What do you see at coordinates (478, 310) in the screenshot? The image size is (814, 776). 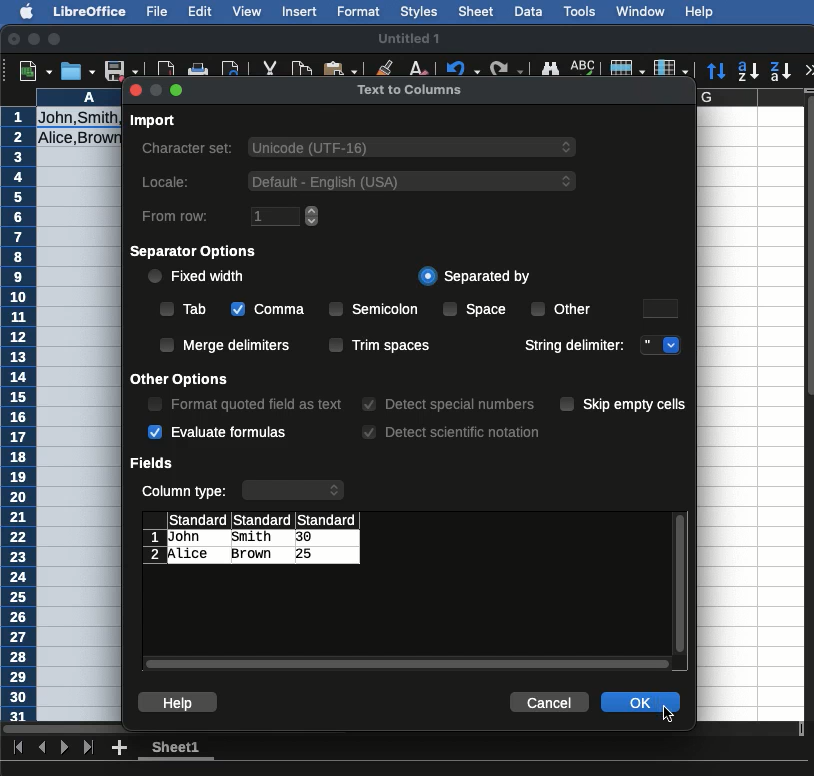 I see `Space` at bounding box center [478, 310].